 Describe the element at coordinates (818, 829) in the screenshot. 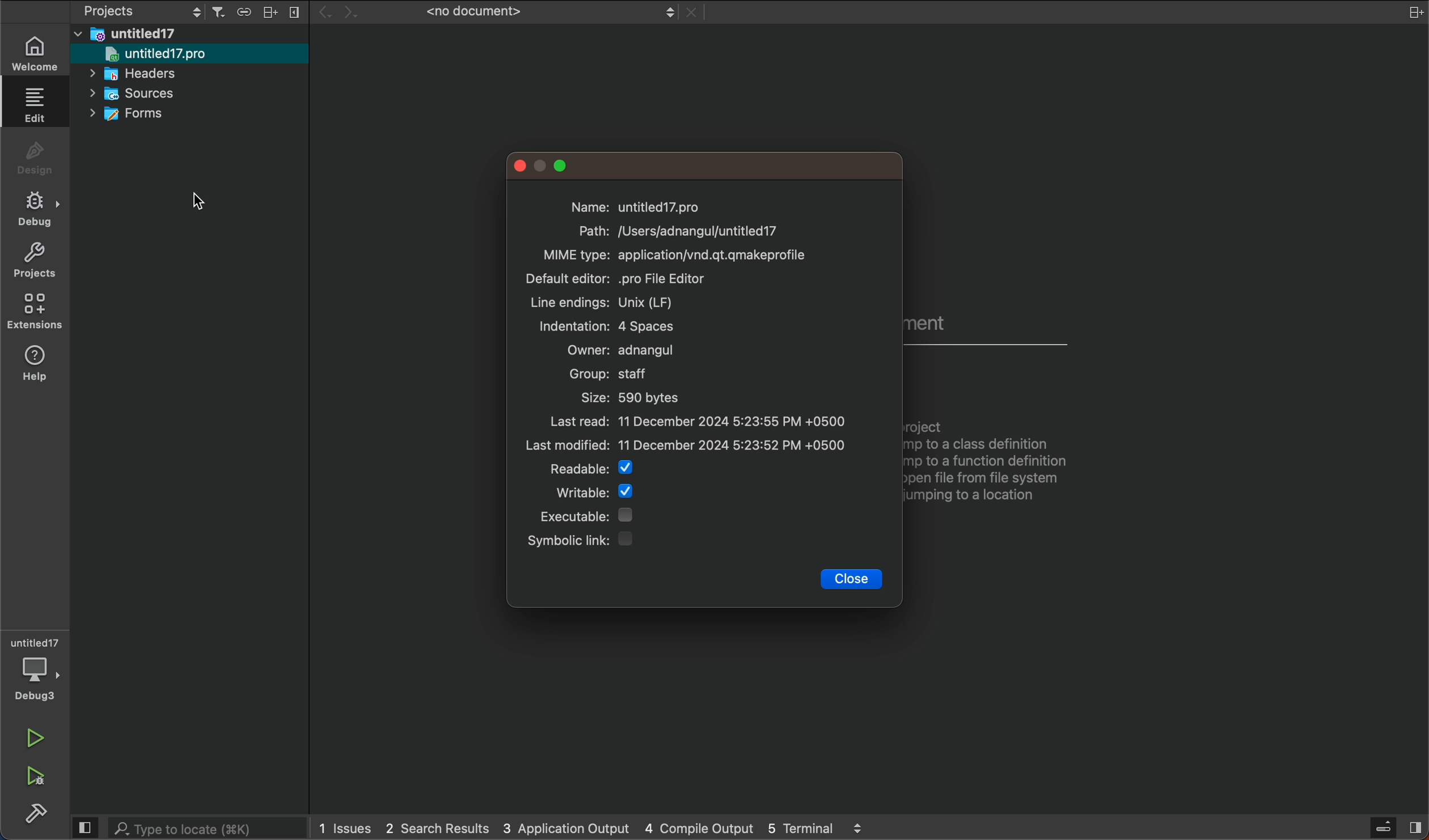

I see `5 terminal` at that location.